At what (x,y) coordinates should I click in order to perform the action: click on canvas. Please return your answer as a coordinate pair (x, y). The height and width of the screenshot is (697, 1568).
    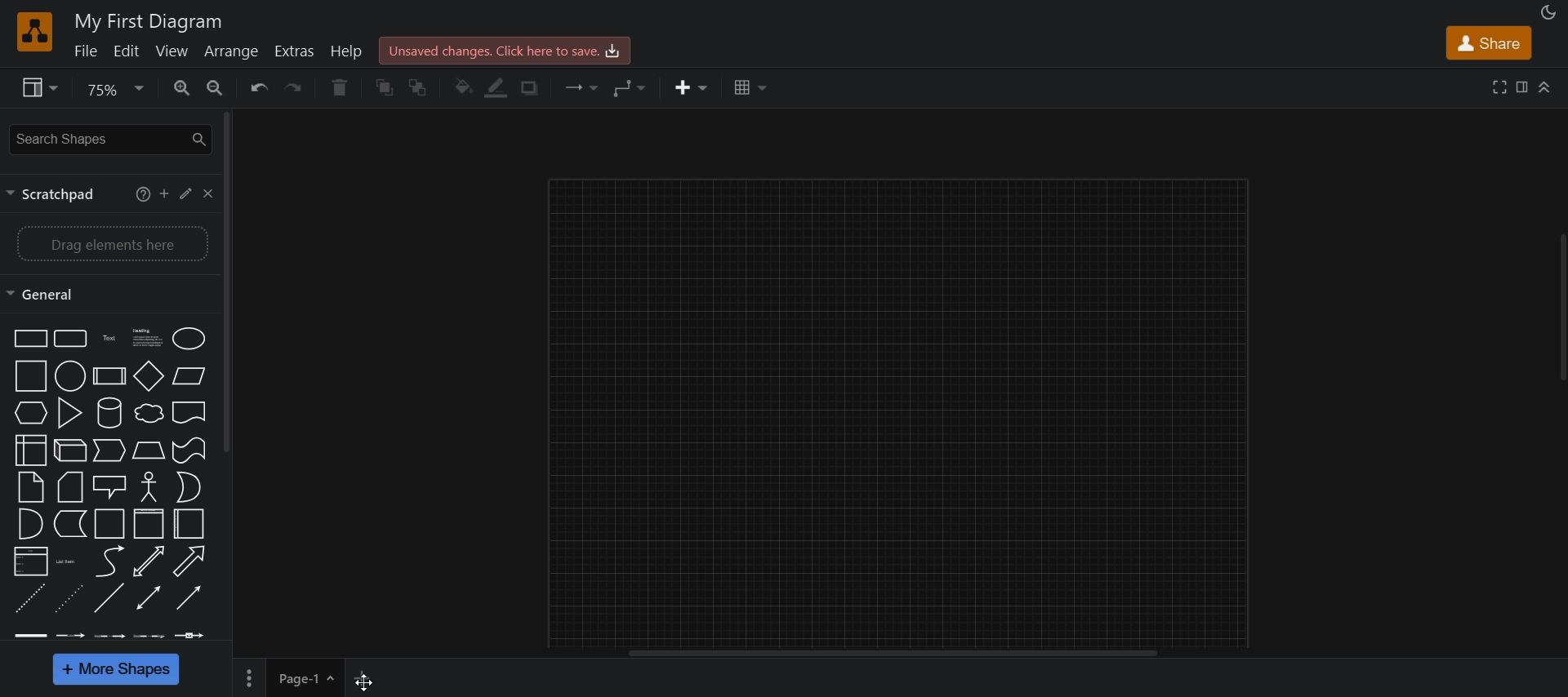
    Looking at the image, I should click on (895, 405).